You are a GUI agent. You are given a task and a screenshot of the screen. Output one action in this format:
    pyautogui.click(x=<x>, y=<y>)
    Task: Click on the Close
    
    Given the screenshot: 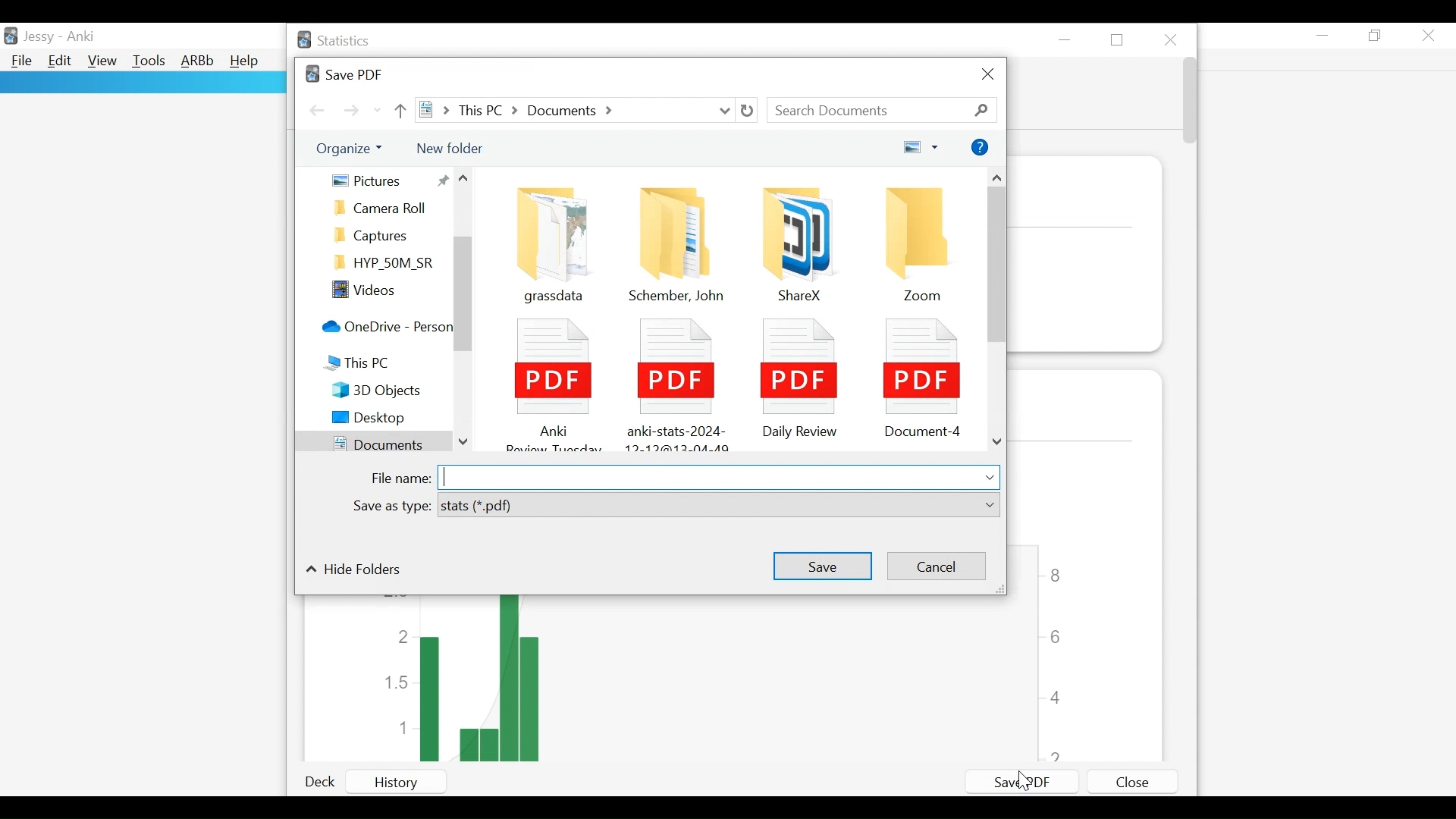 What is the action you would take?
    pyautogui.click(x=1429, y=35)
    